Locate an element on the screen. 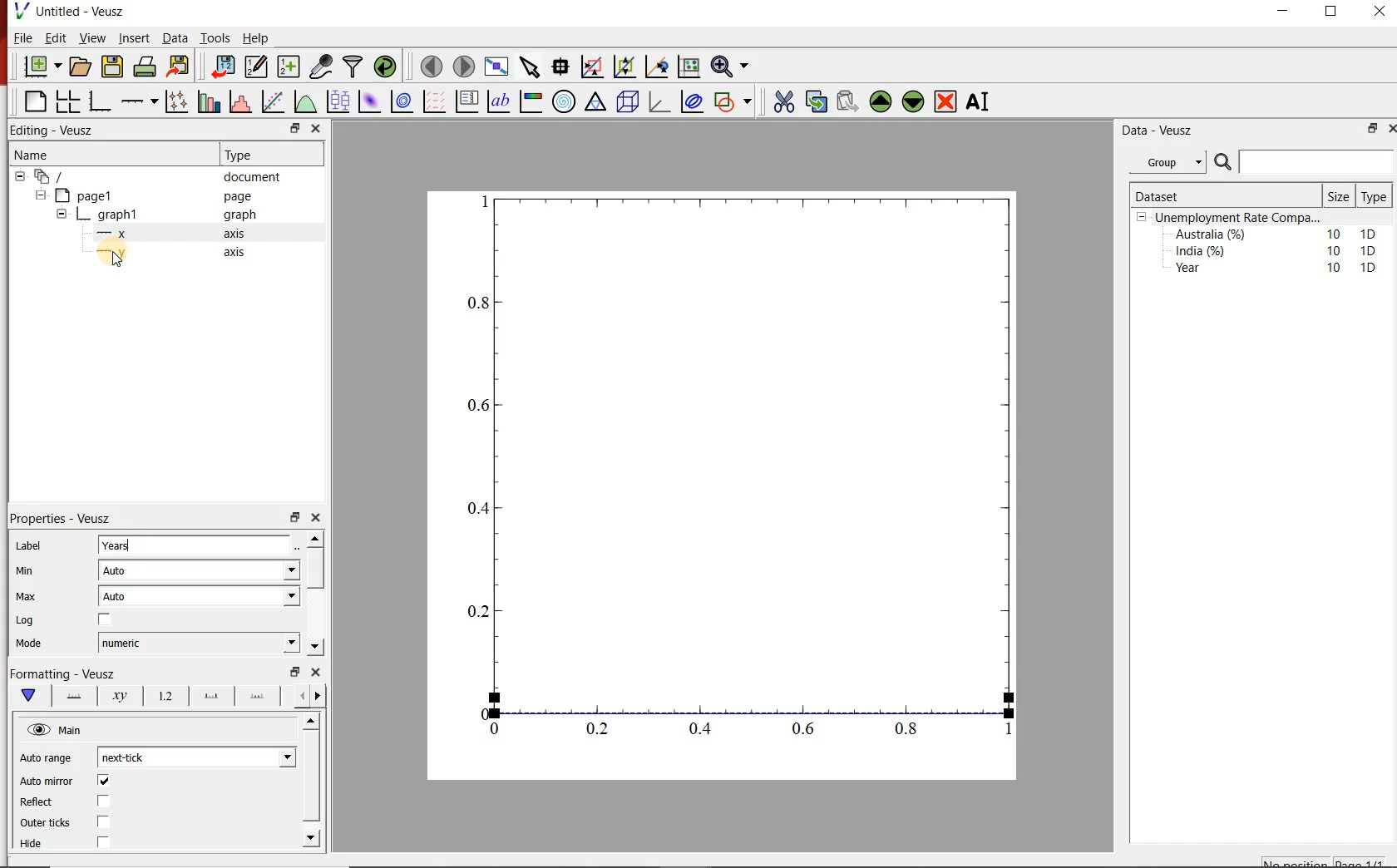 The width and height of the screenshot is (1397, 868). move right is located at coordinates (317, 696).